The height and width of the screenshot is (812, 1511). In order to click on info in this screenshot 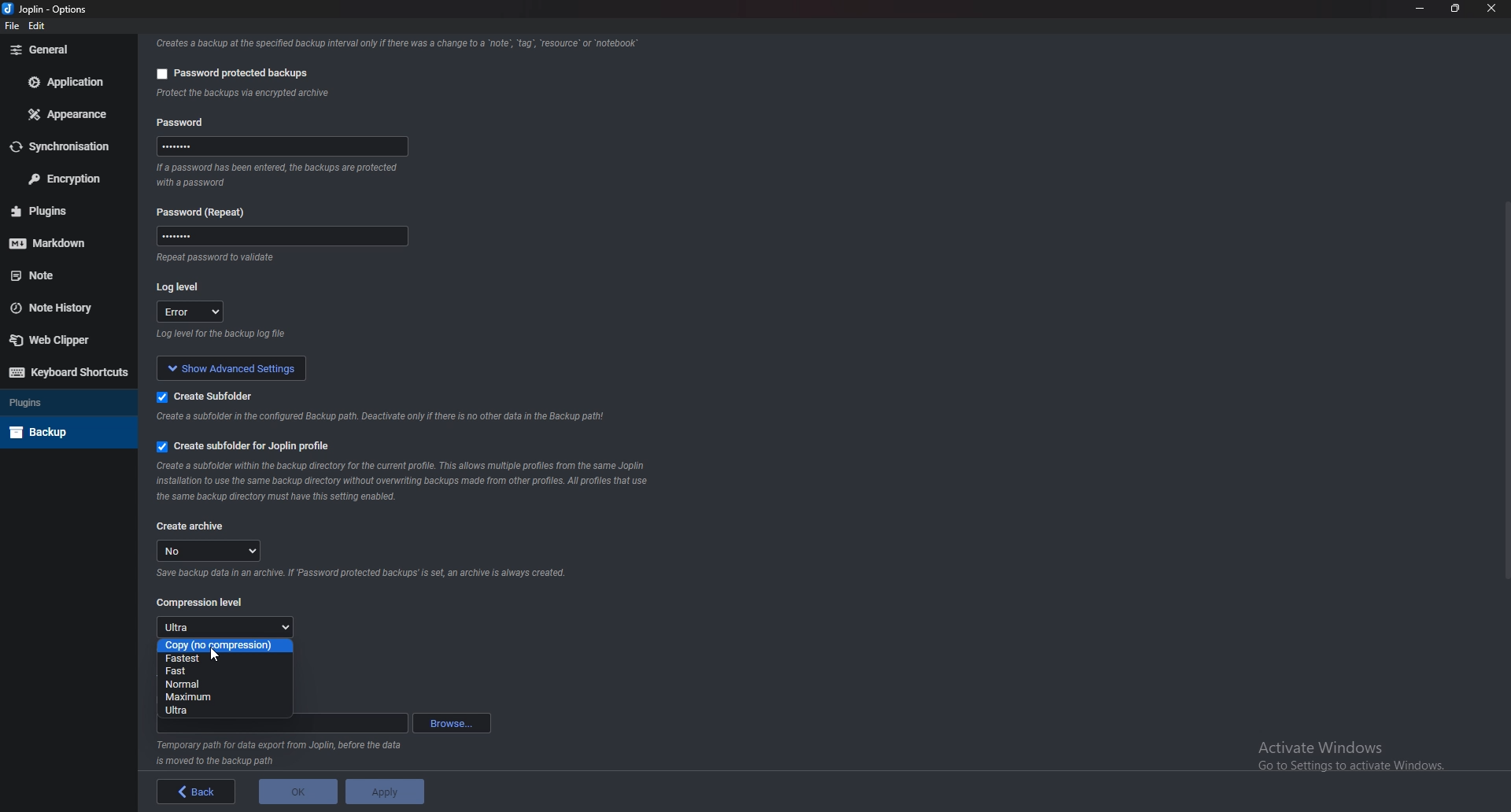, I will do `click(323, 94)`.